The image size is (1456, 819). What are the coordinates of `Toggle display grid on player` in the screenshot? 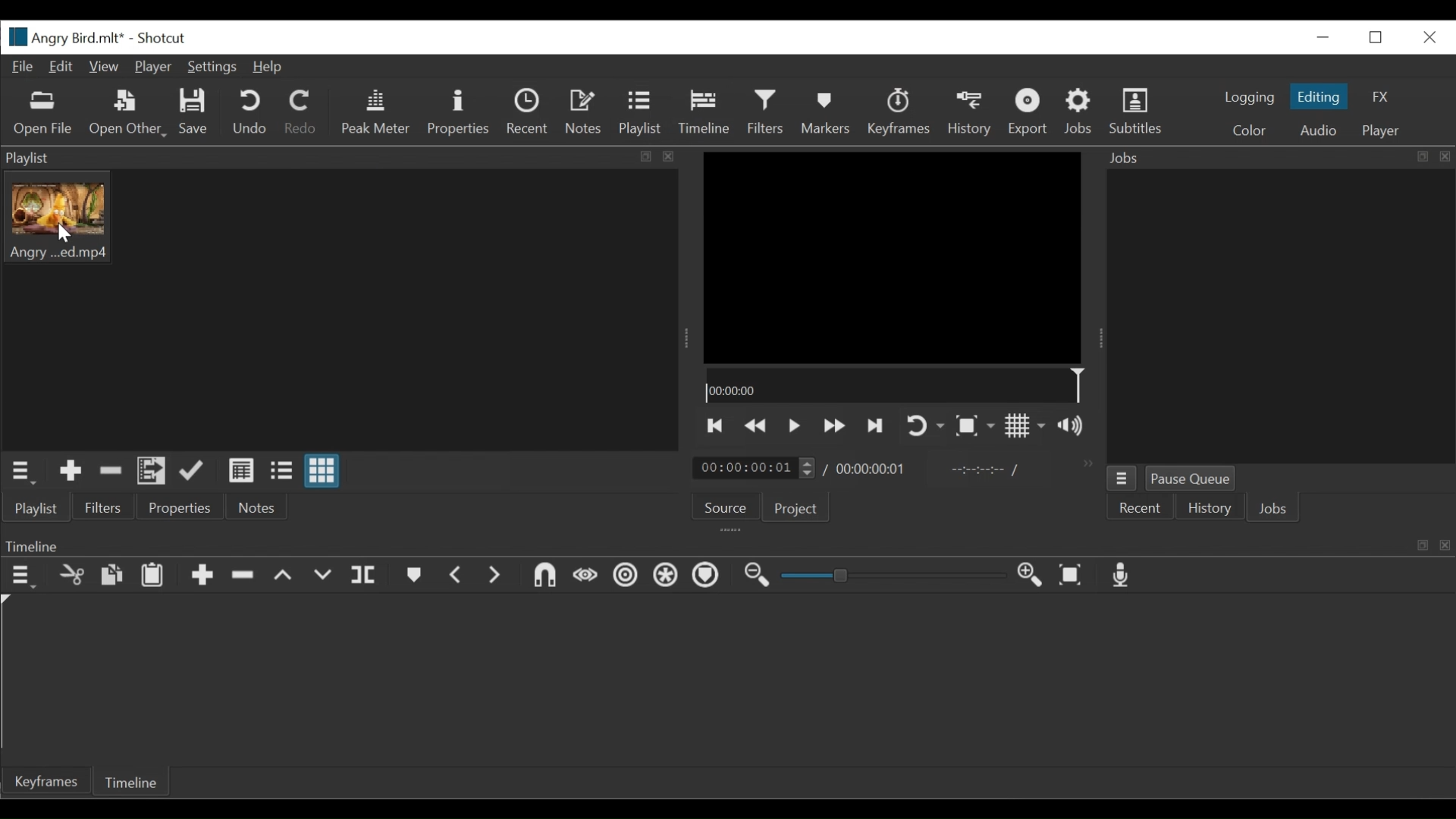 It's located at (1026, 426).